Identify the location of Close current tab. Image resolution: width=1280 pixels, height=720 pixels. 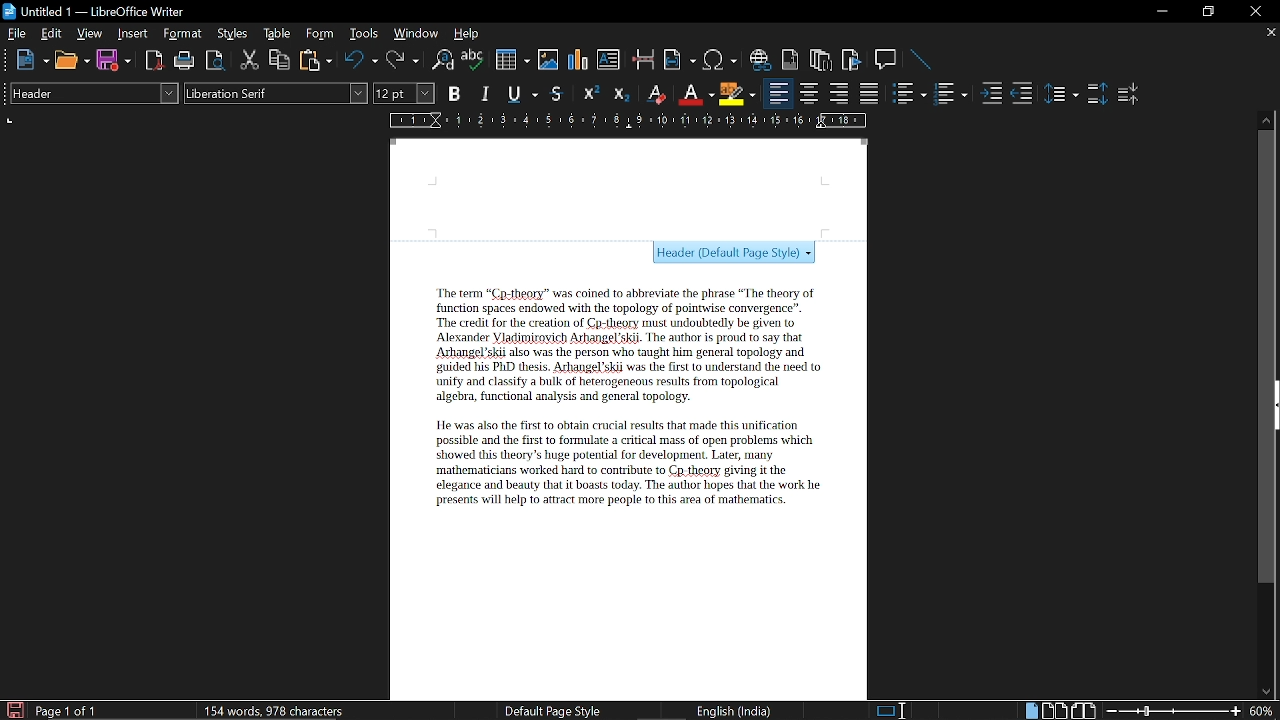
(1267, 32).